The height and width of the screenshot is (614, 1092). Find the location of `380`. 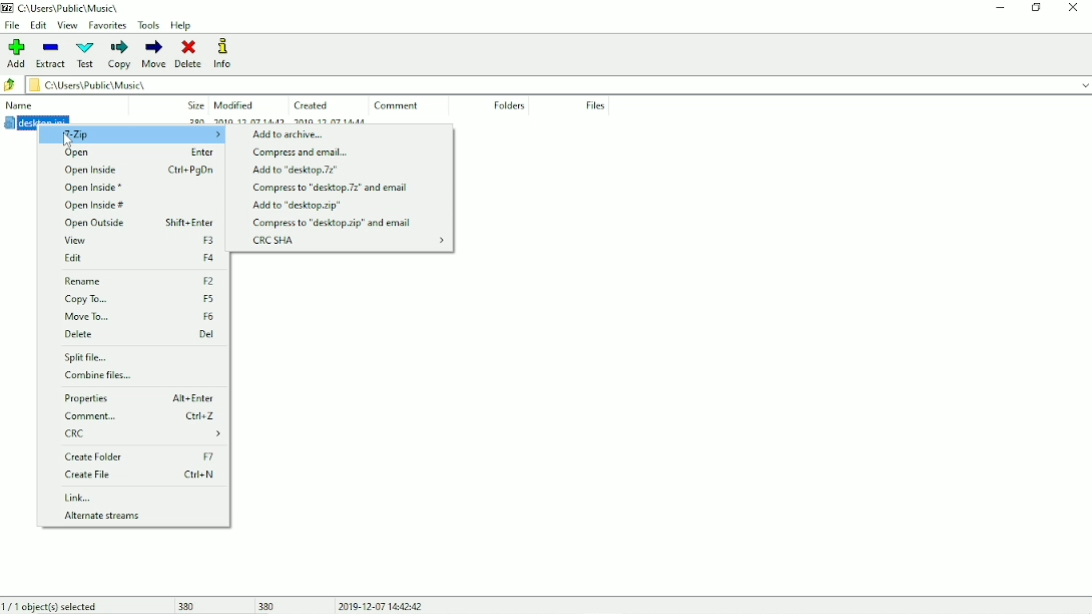

380 is located at coordinates (268, 605).